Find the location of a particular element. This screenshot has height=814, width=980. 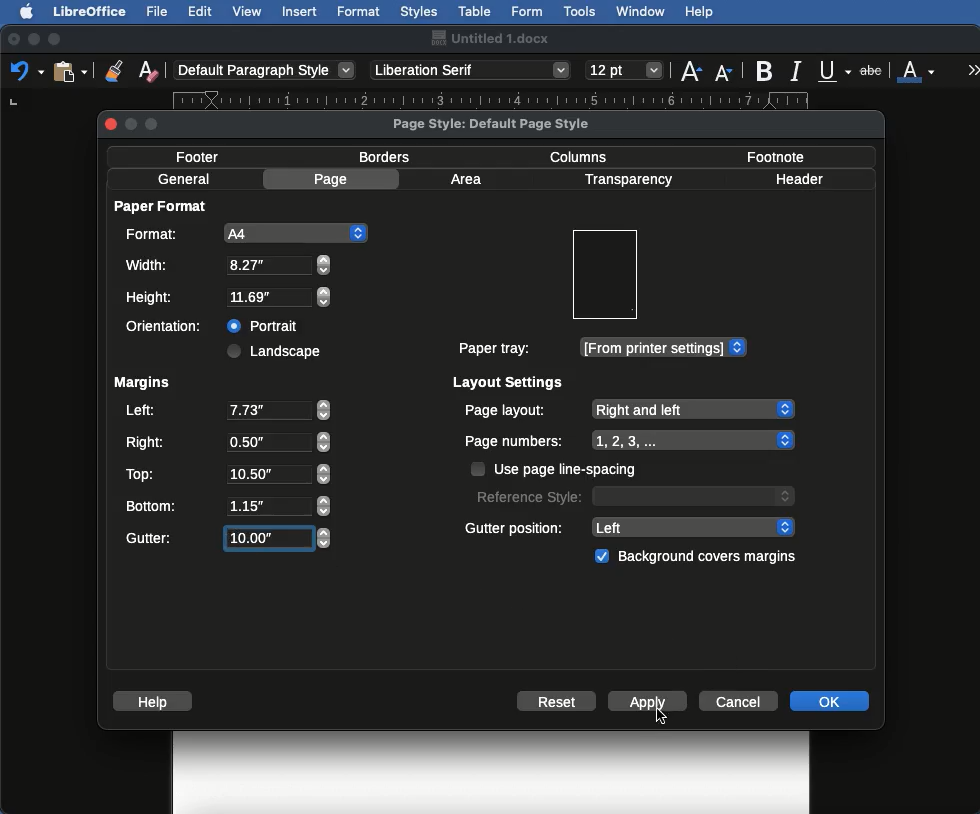

Size decrease is located at coordinates (728, 72).